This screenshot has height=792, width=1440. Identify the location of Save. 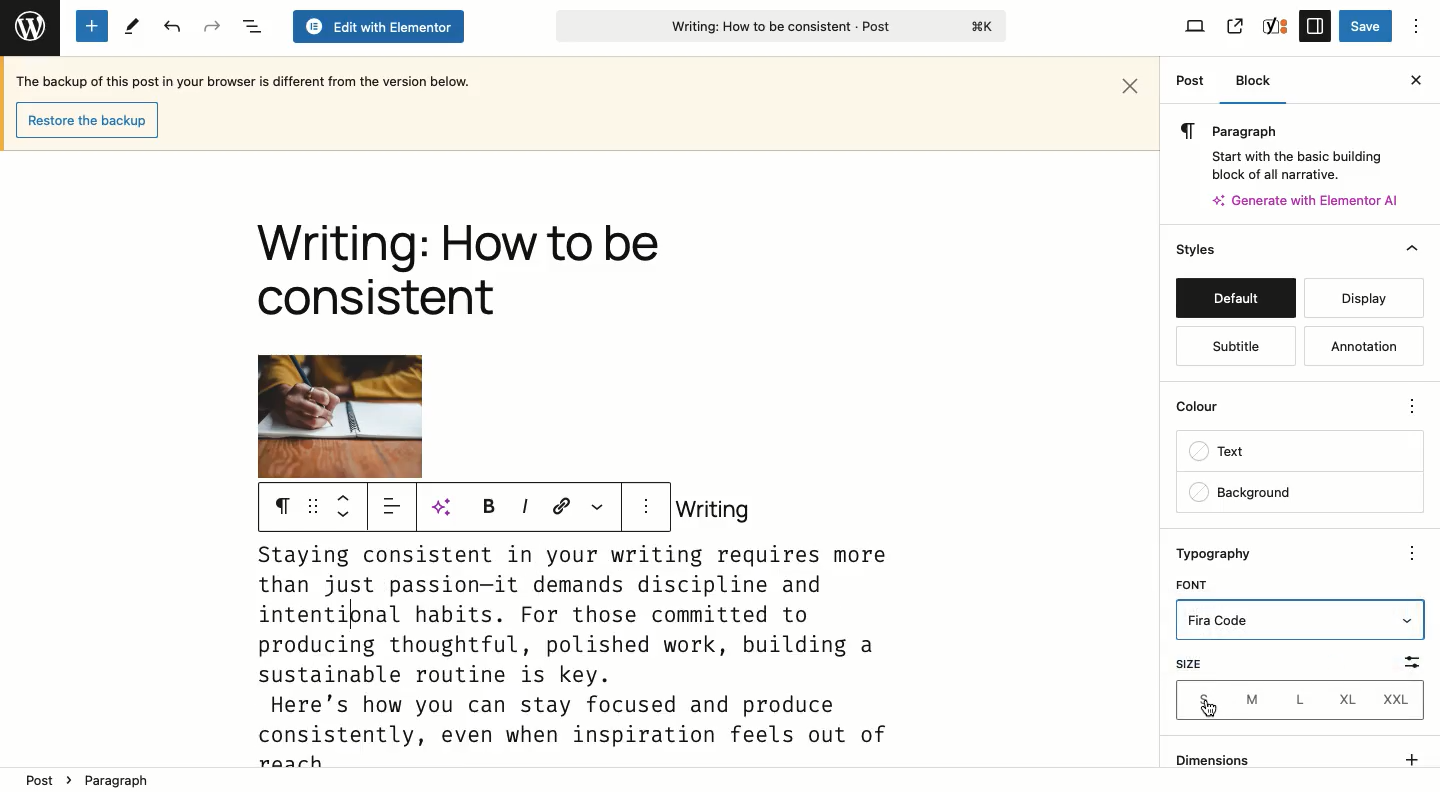
(1365, 27).